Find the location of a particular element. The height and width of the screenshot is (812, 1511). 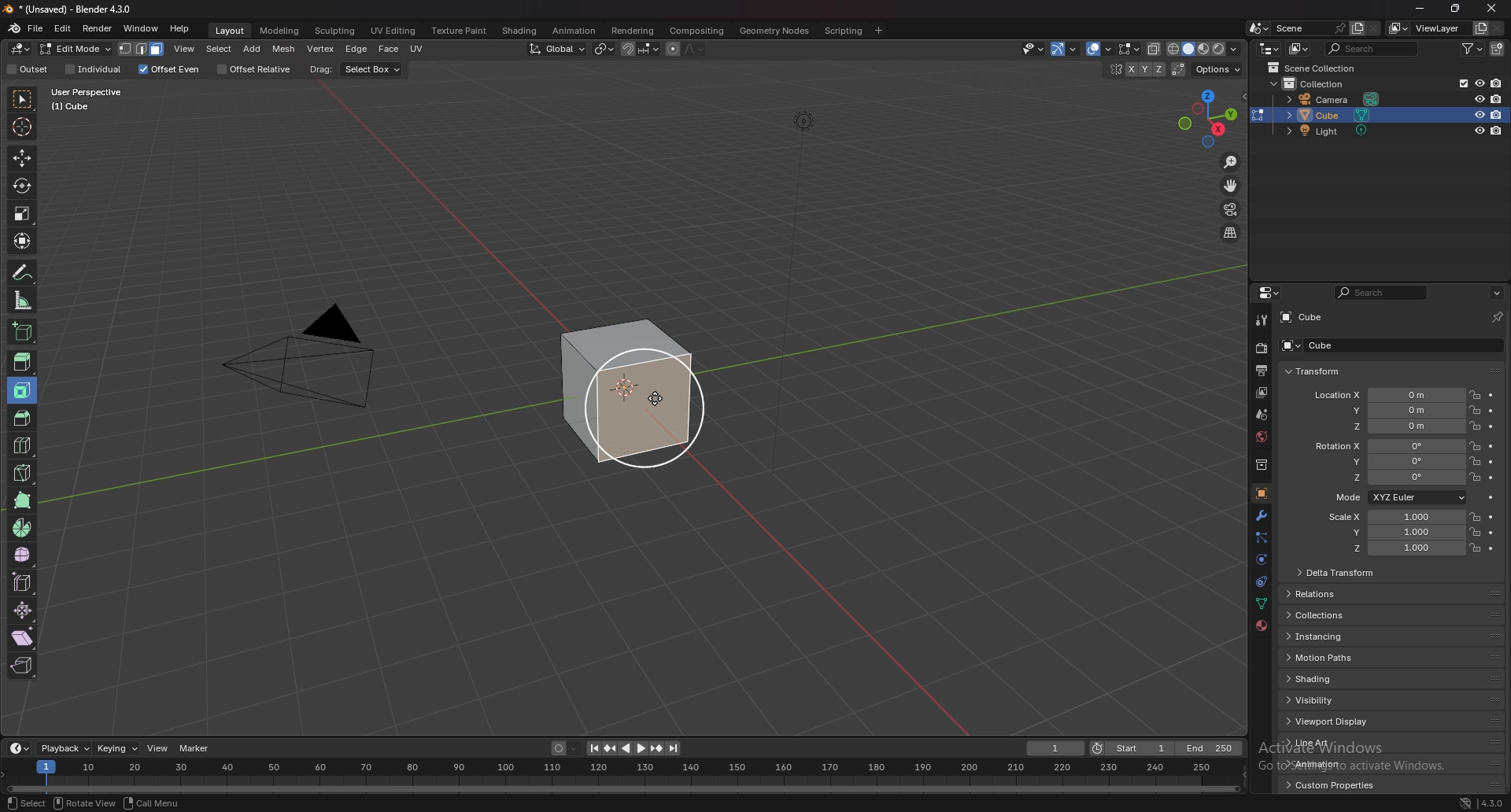

search is located at coordinates (1380, 293).